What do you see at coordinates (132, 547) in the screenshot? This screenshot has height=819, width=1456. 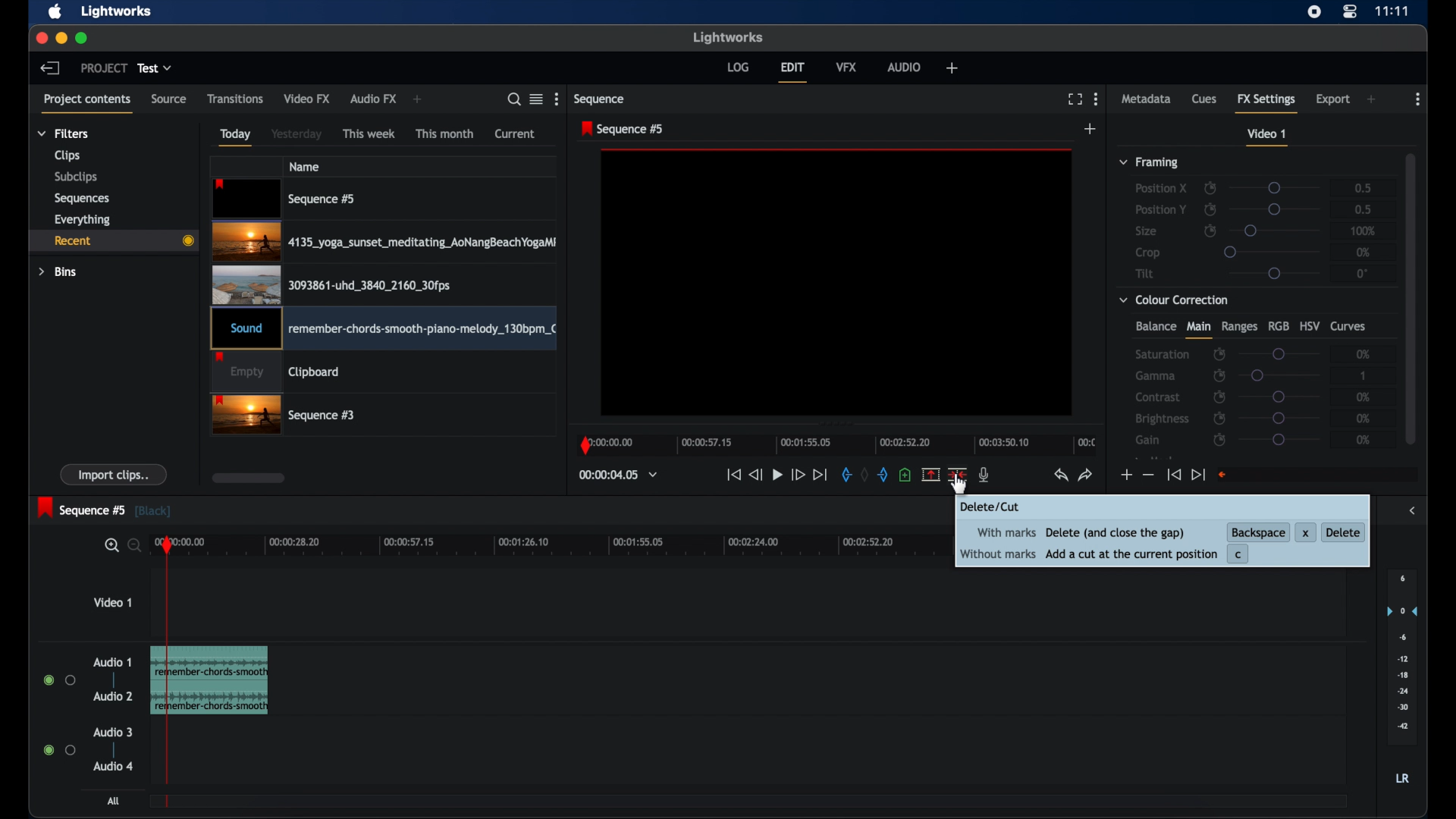 I see `zoom out` at bounding box center [132, 547].